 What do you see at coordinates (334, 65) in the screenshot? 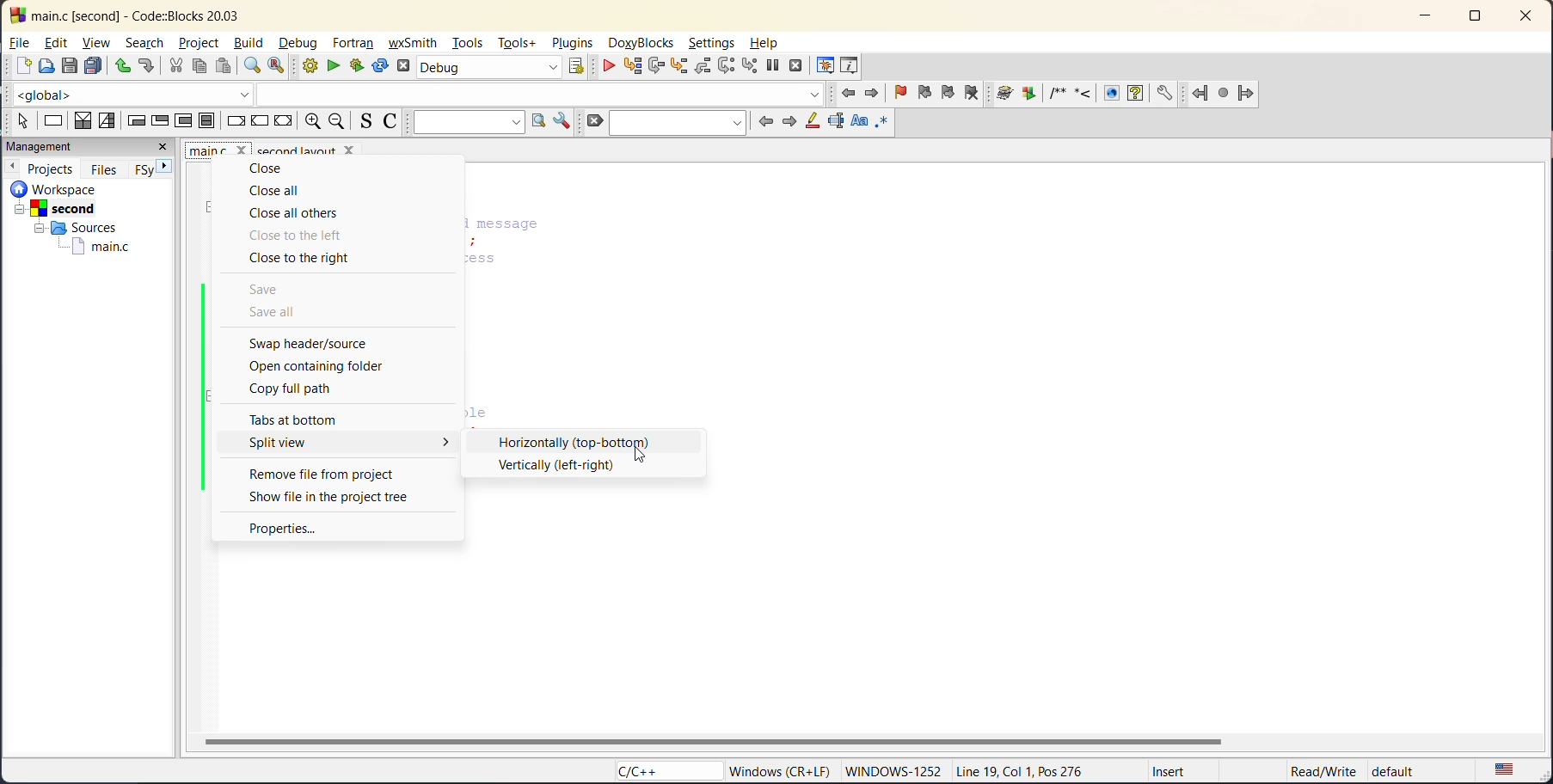
I see `run` at bounding box center [334, 65].